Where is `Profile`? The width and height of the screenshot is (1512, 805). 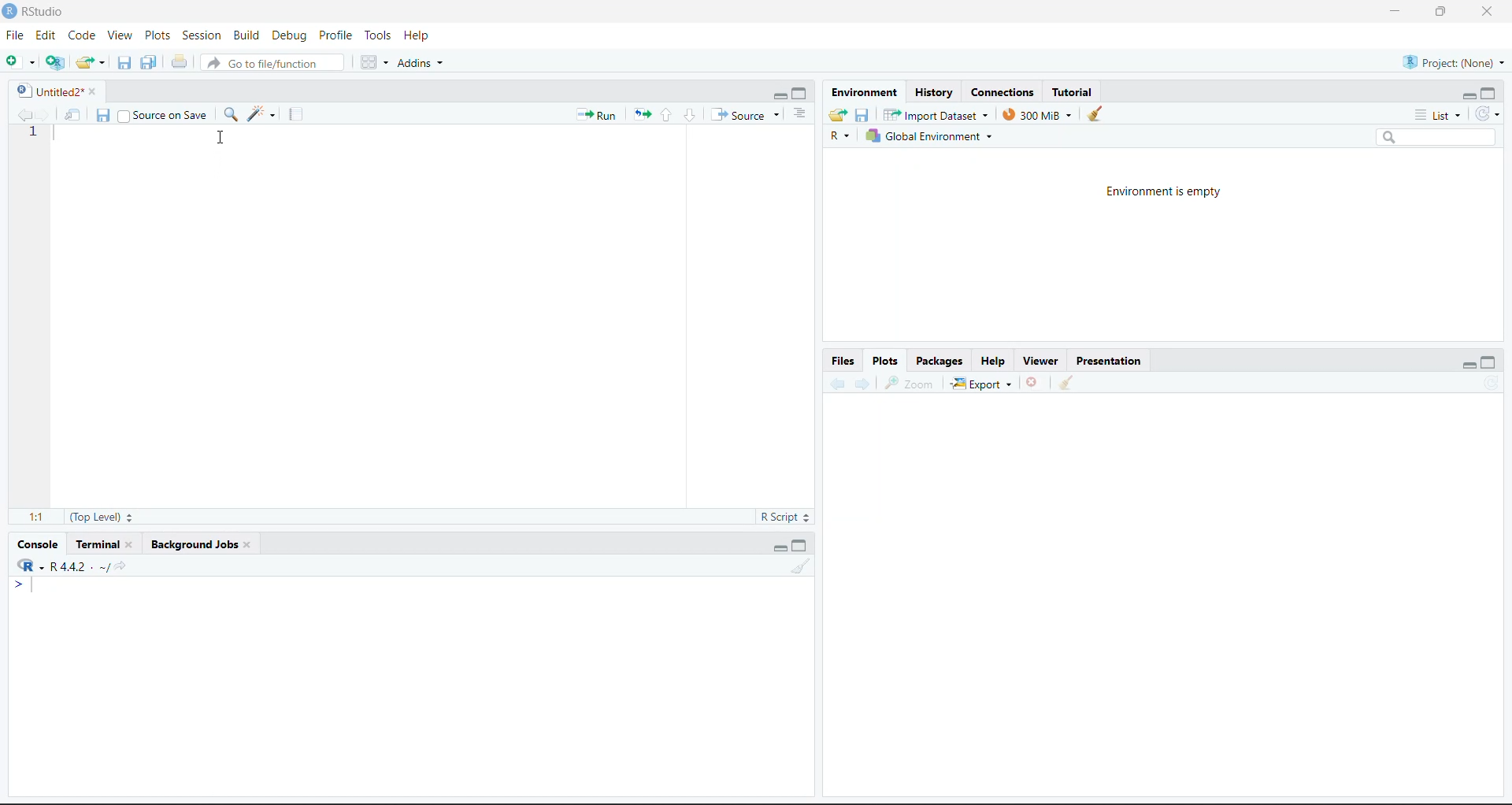 Profile is located at coordinates (336, 37).